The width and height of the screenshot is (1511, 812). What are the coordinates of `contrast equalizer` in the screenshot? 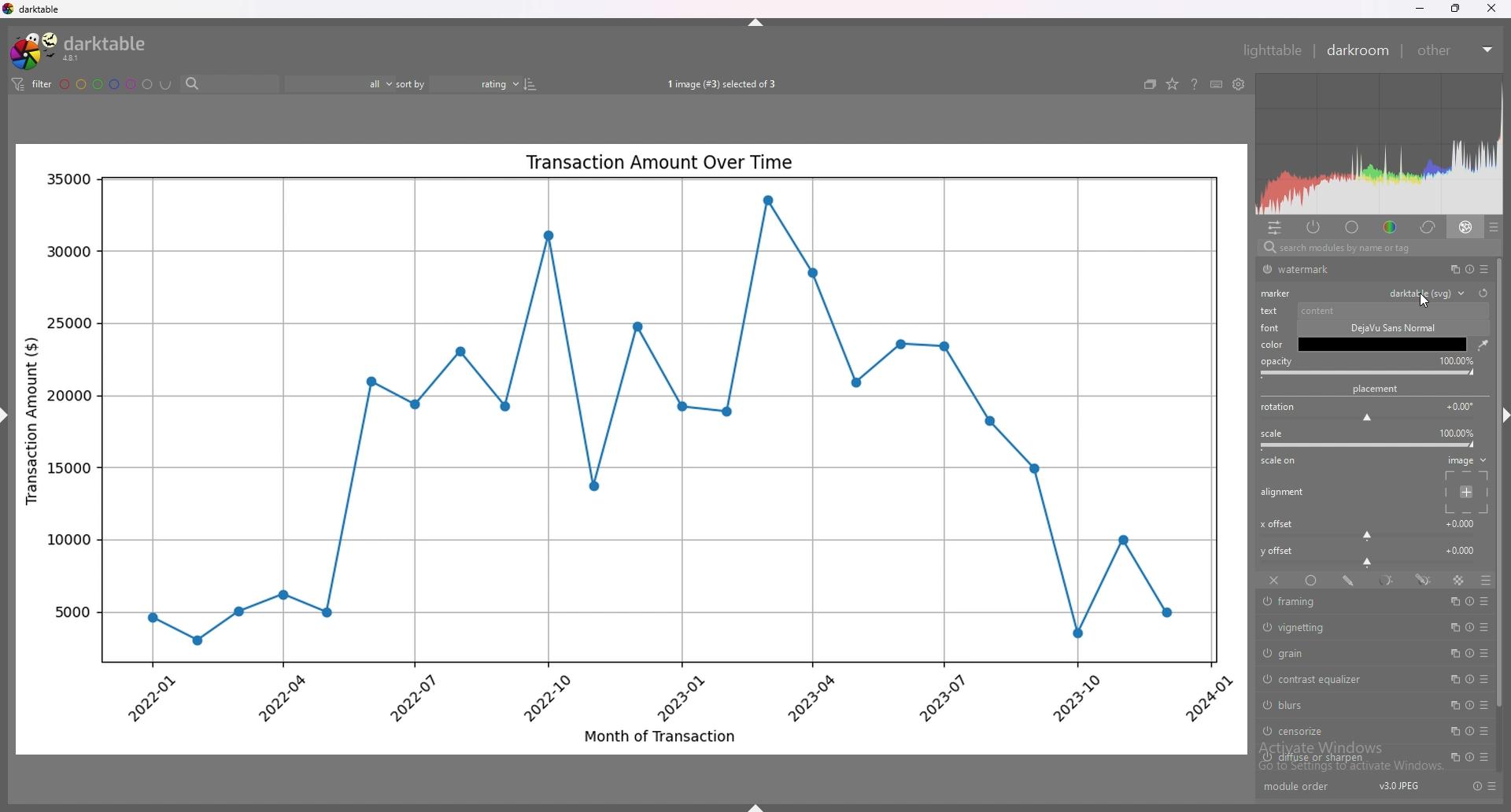 It's located at (1343, 679).